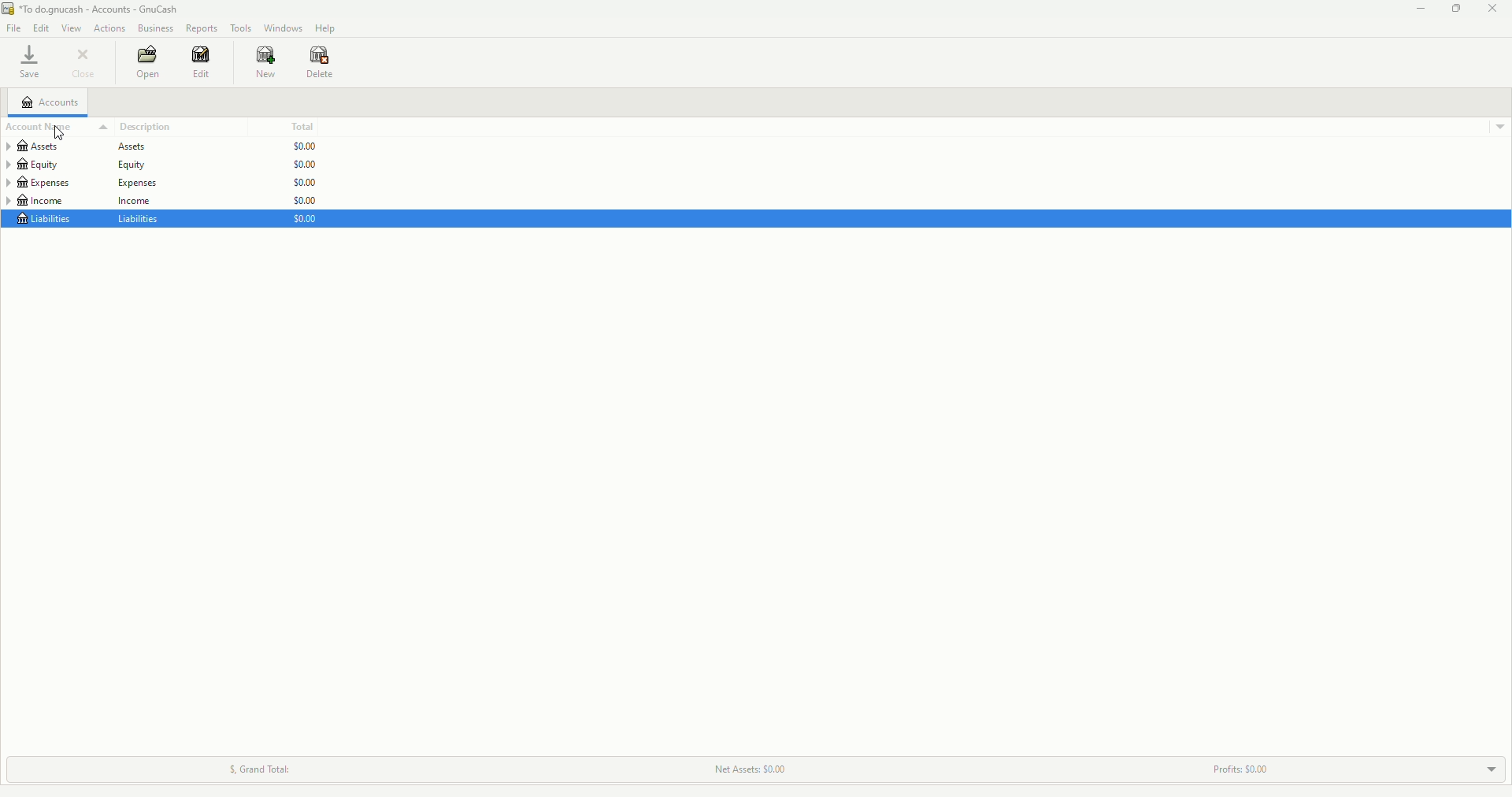 This screenshot has height=797, width=1512. What do you see at coordinates (202, 28) in the screenshot?
I see `Records` at bounding box center [202, 28].